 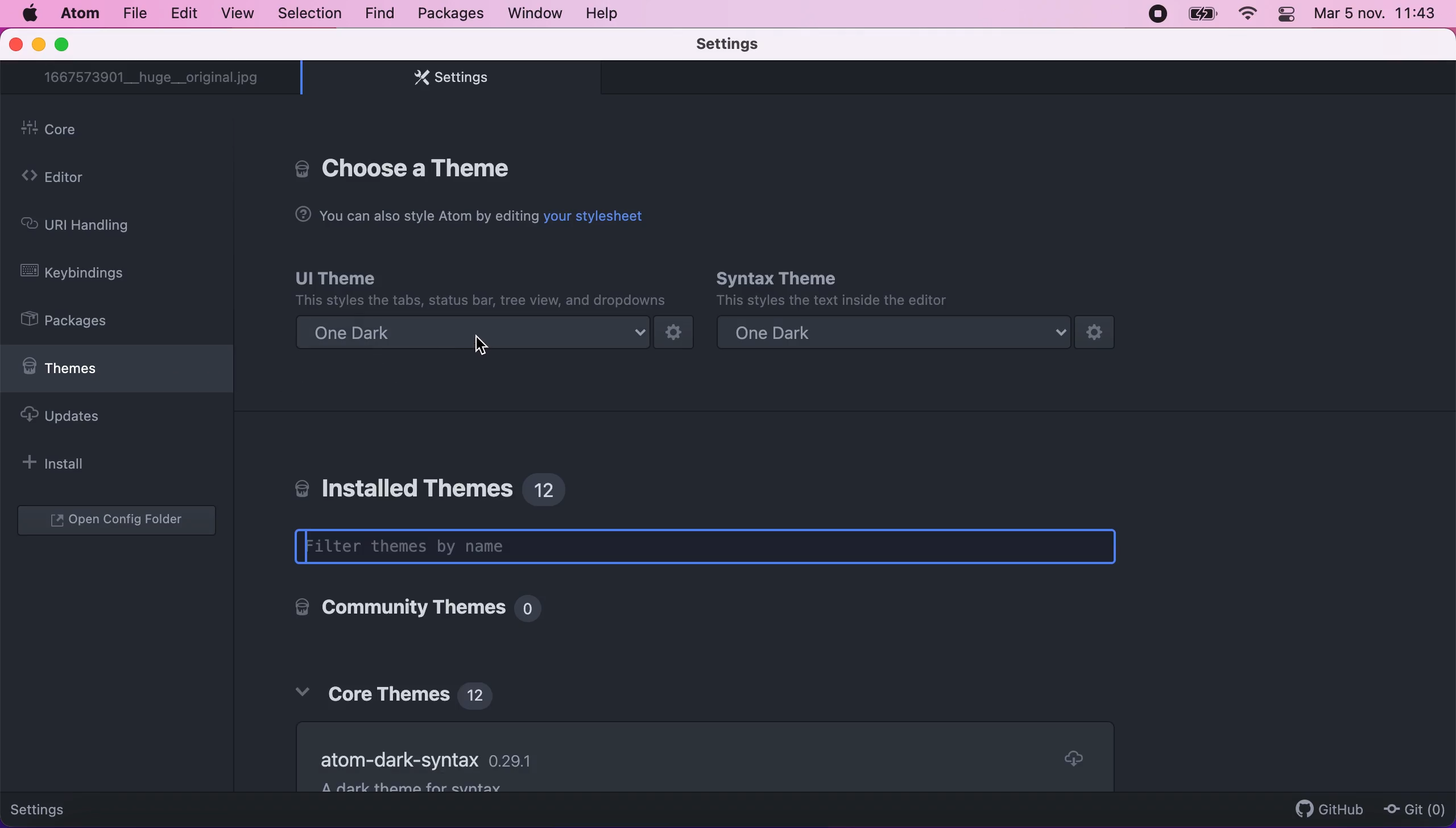 I want to click on Mar 5 nov. 11:42, so click(x=1378, y=16).